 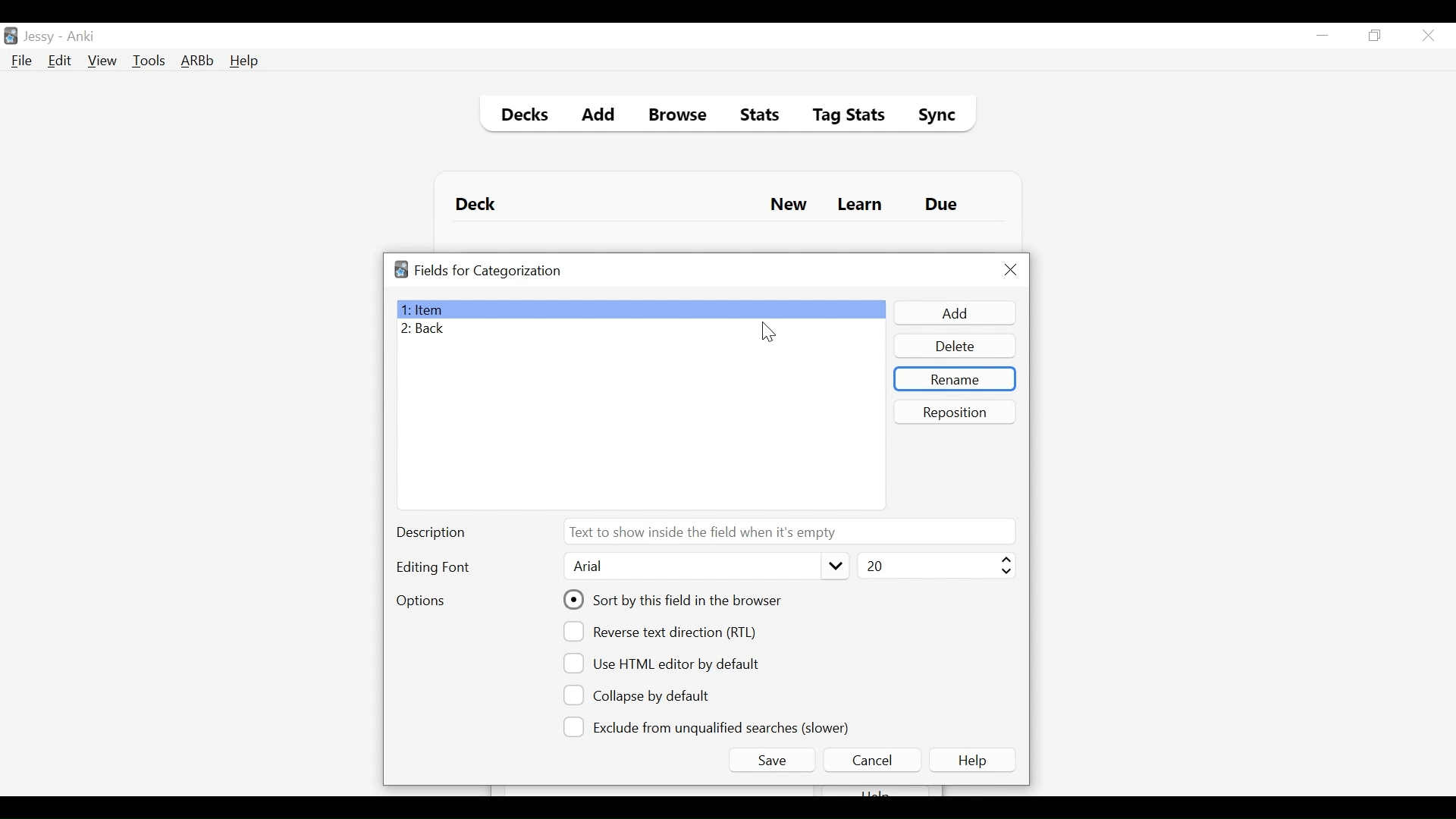 What do you see at coordinates (488, 271) in the screenshot?
I see `Field for Categorization` at bounding box center [488, 271].